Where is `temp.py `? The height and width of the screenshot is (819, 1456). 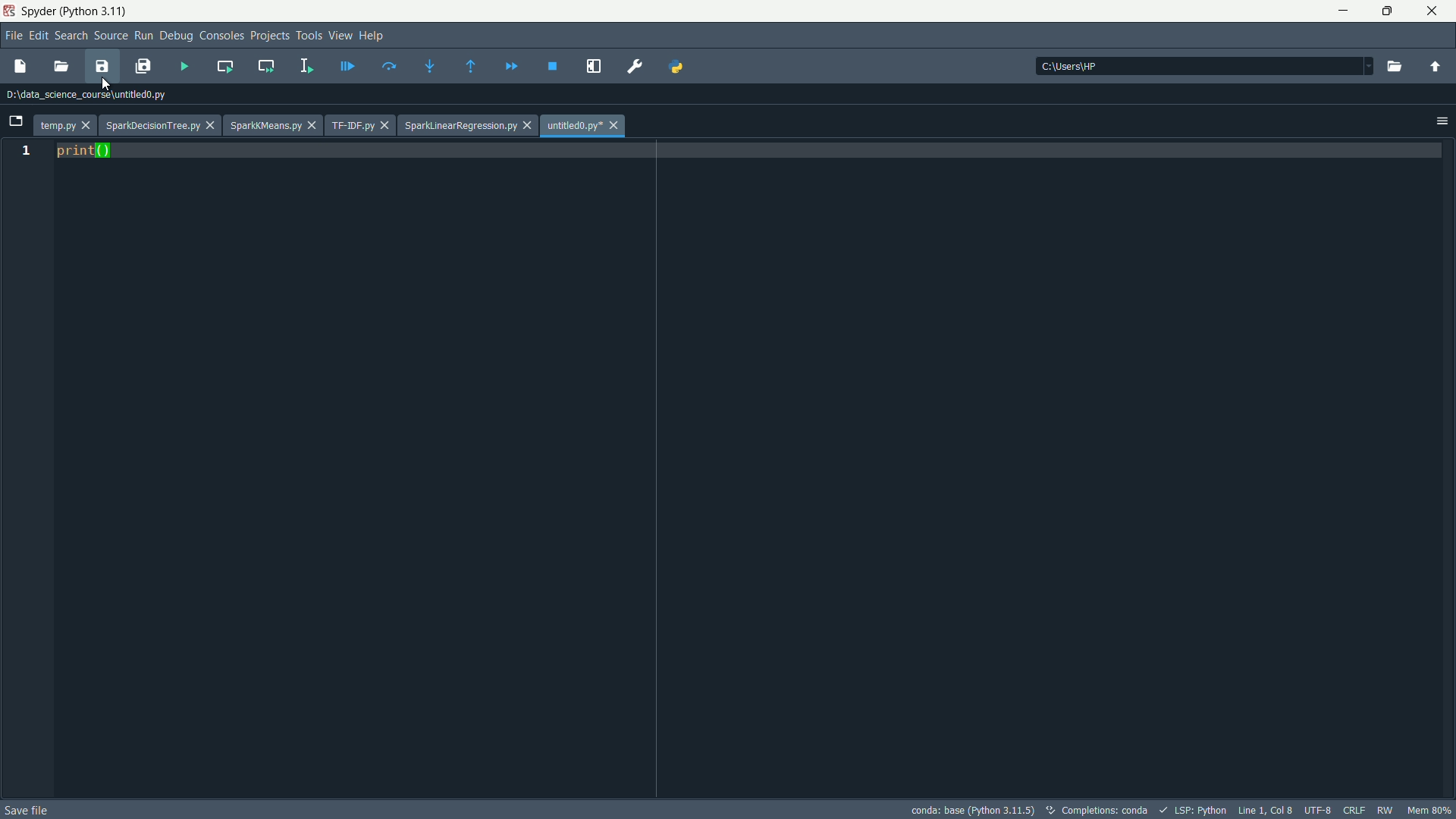
temp.py  is located at coordinates (58, 124).